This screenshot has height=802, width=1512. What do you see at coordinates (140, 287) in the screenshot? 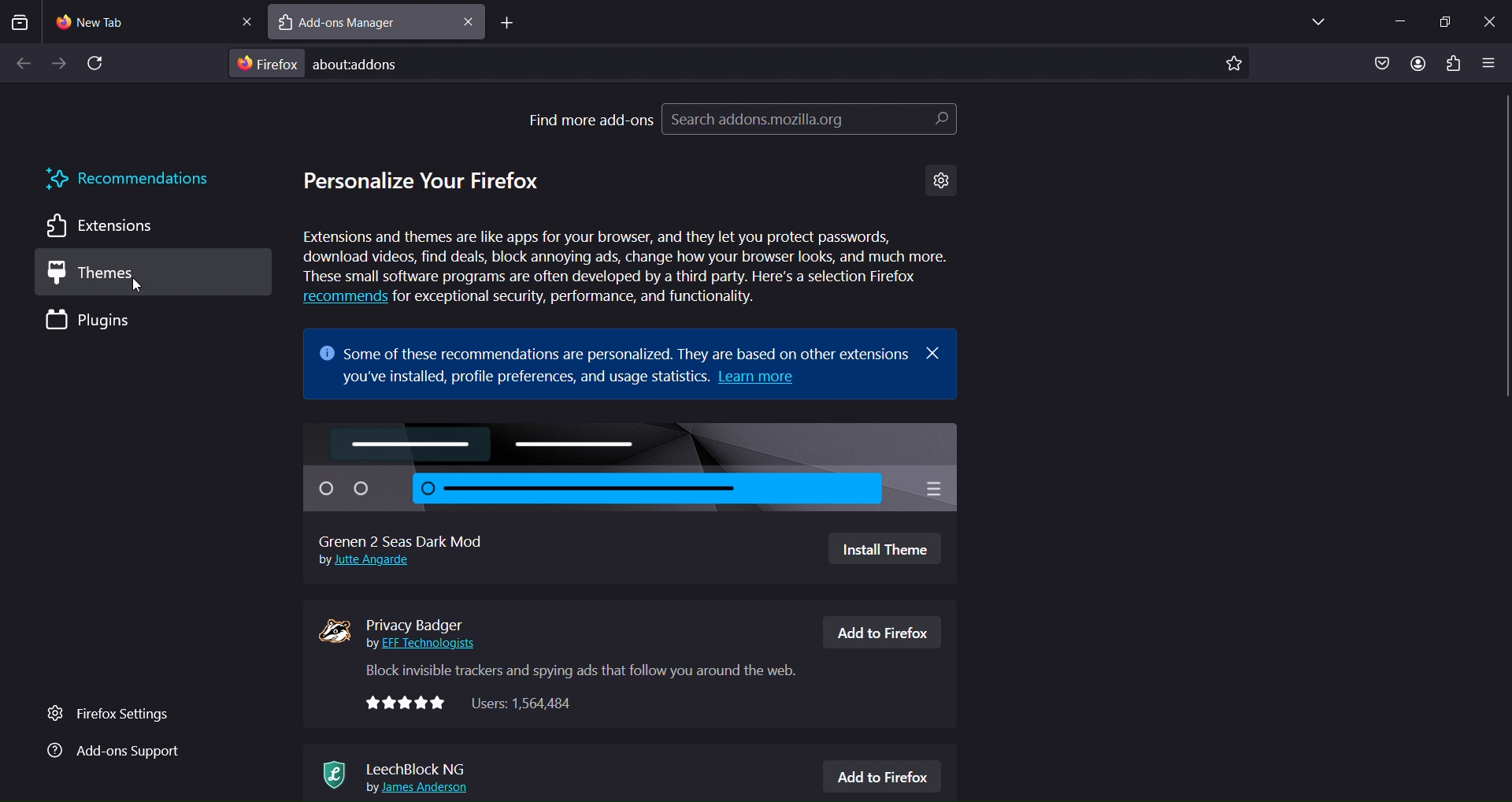
I see `cursor` at bounding box center [140, 287].